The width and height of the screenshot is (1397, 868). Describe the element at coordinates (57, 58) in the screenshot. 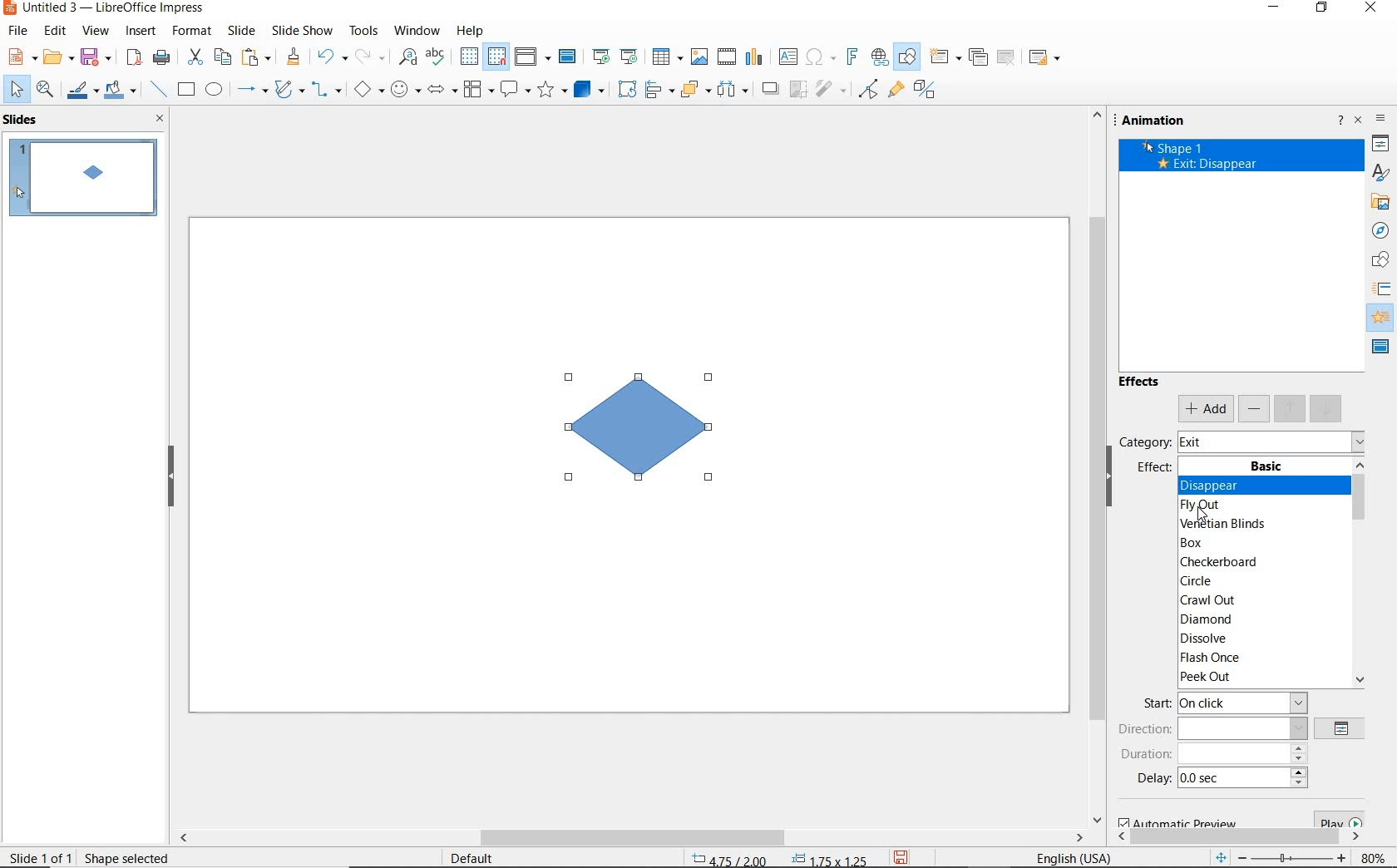

I see `open` at that location.